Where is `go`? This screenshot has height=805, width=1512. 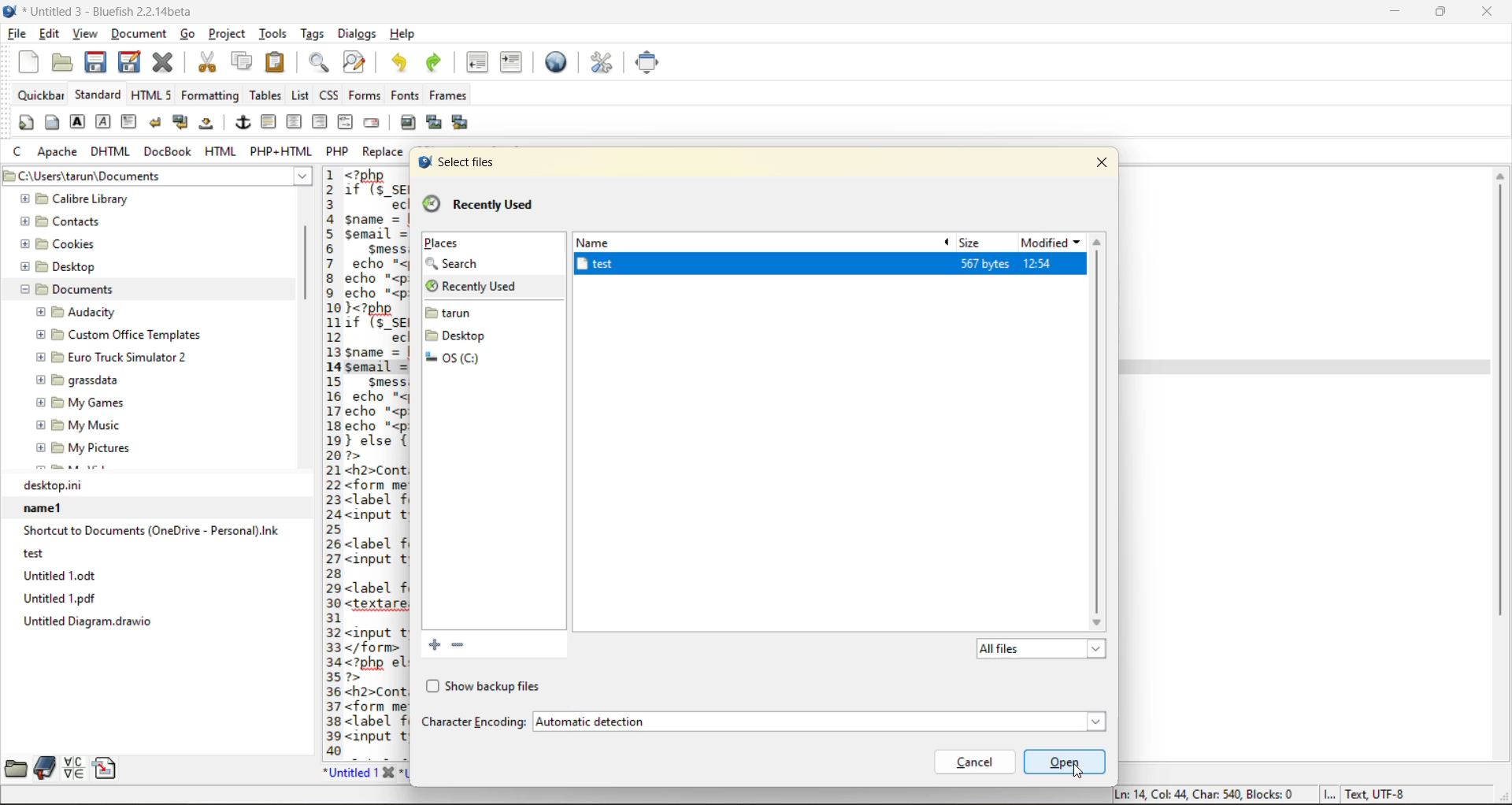
go is located at coordinates (190, 34).